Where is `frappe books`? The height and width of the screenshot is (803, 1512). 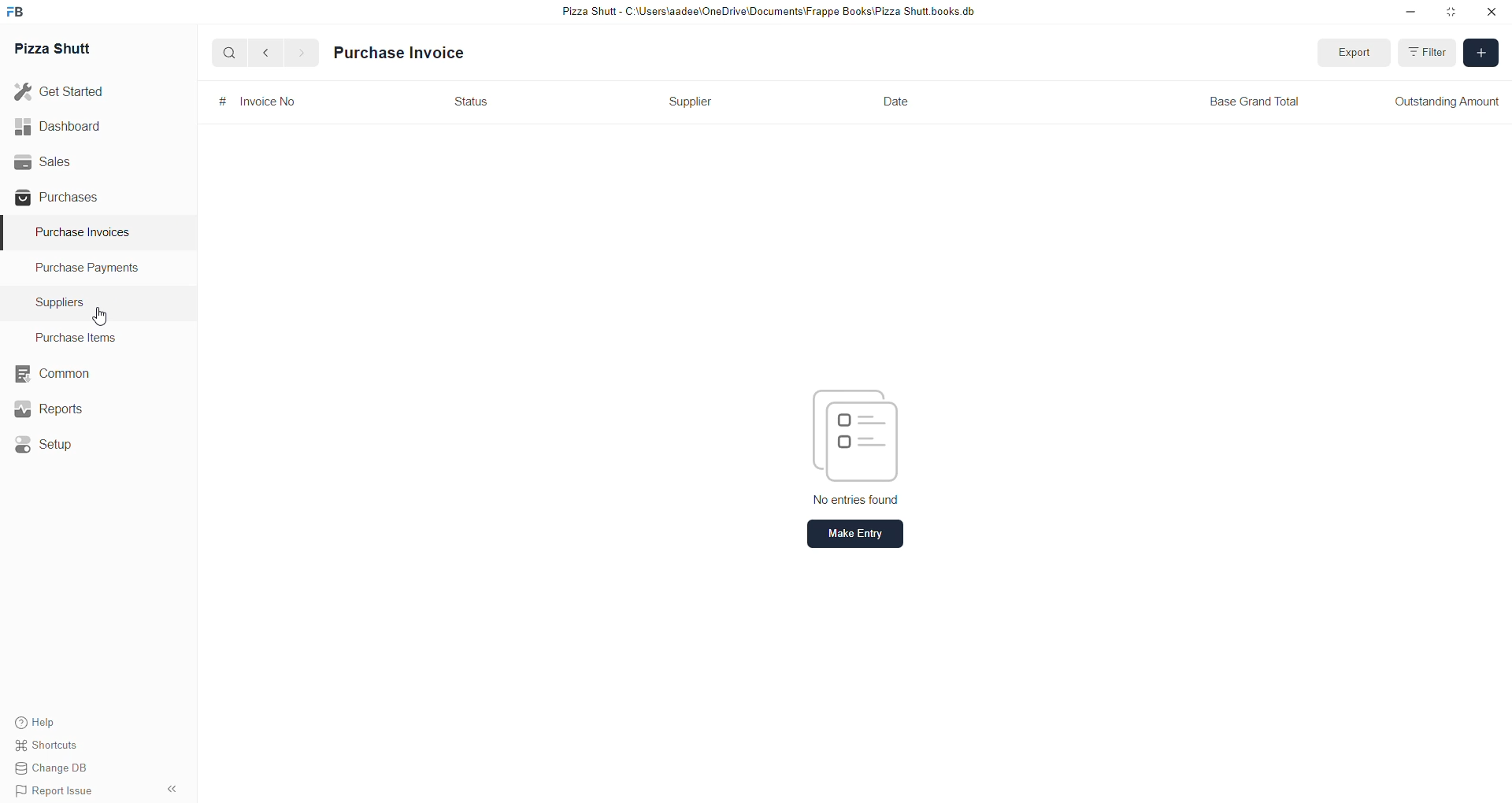
frappe books is located at coordinates (20, 13).